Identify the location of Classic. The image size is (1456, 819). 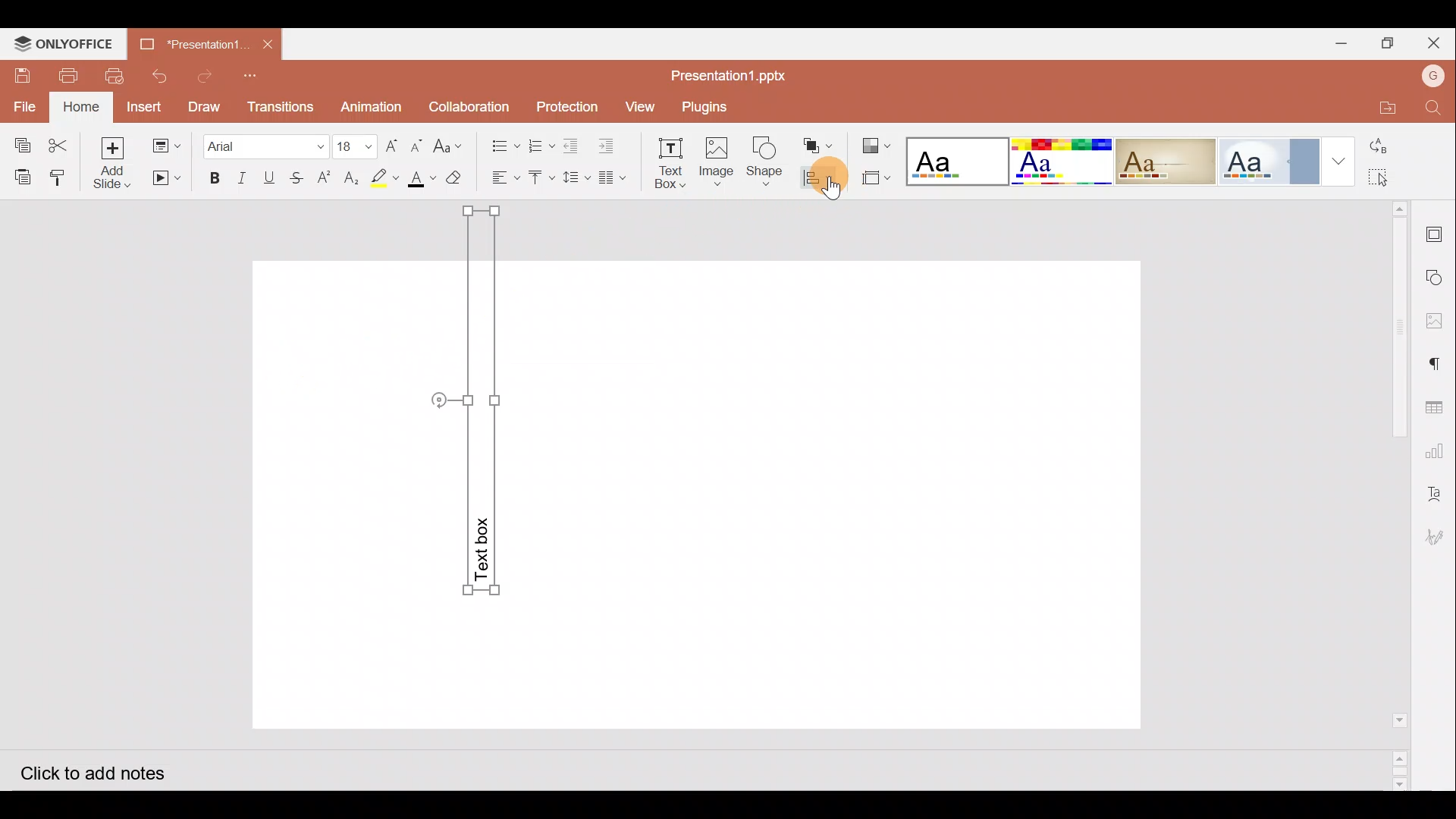
(1166, 158).